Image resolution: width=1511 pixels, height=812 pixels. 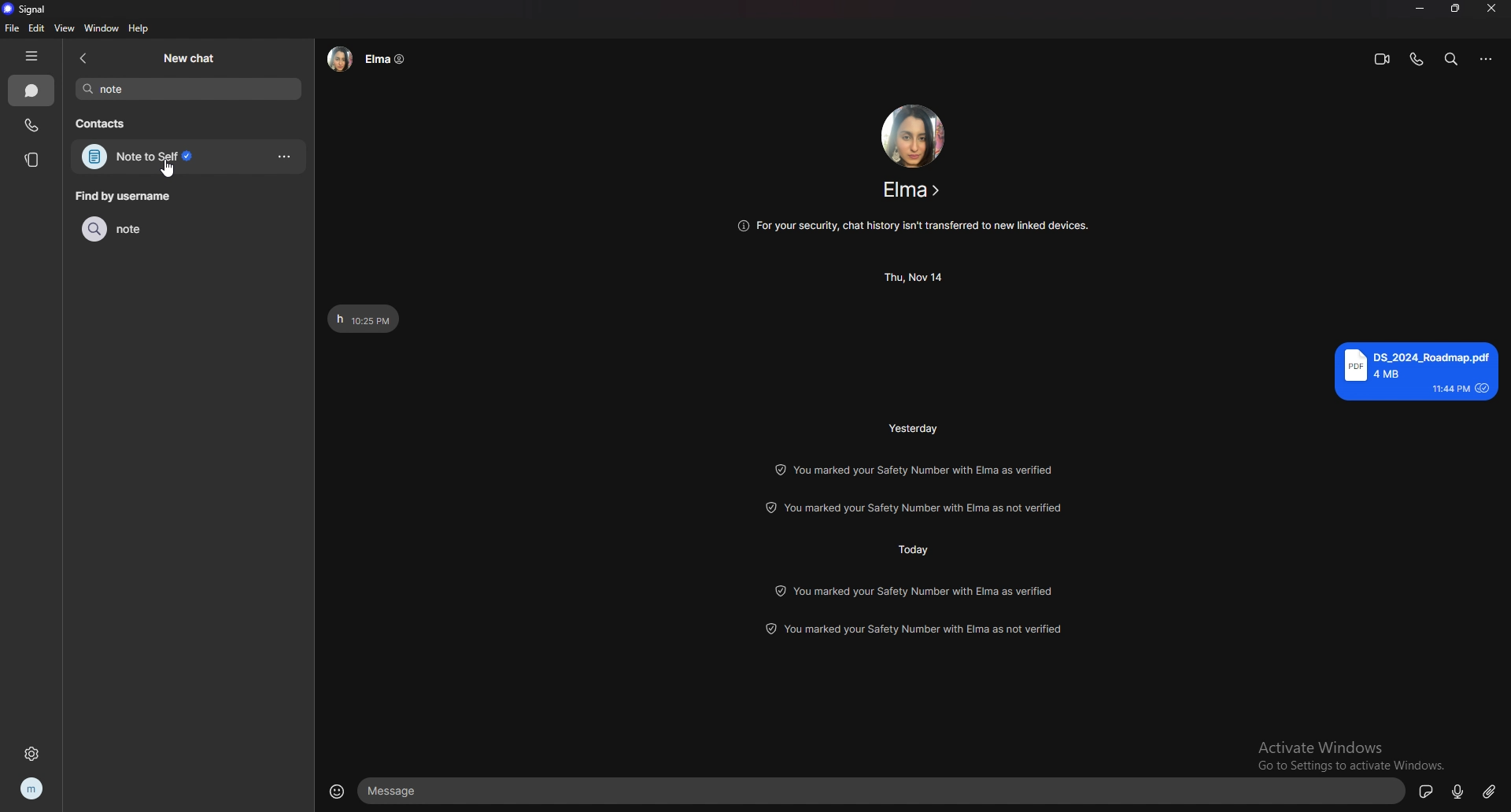 I want to click on time, so click(x=916, y=427).